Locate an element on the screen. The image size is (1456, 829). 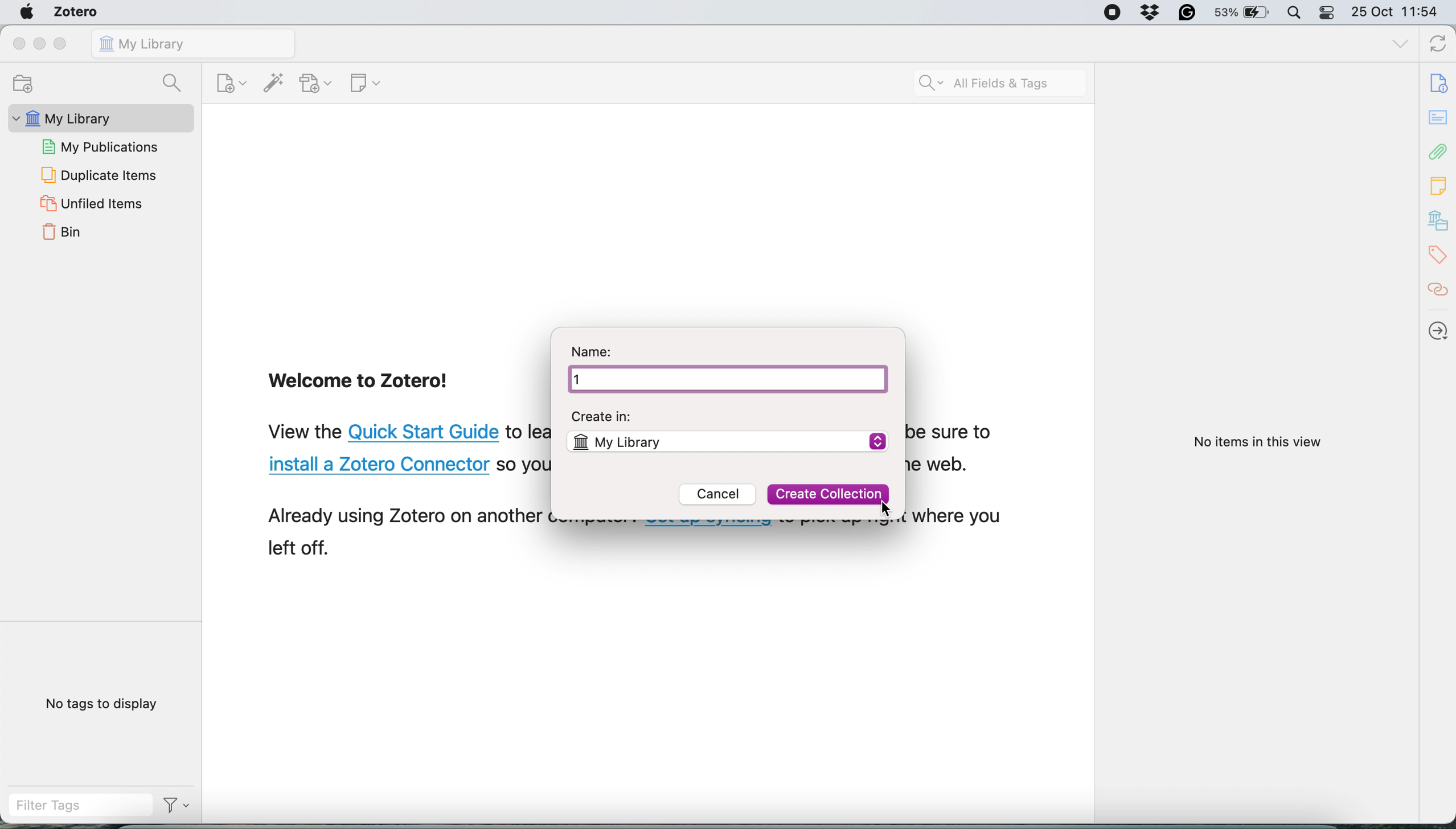
citations is located at coordinates (1439, 290).